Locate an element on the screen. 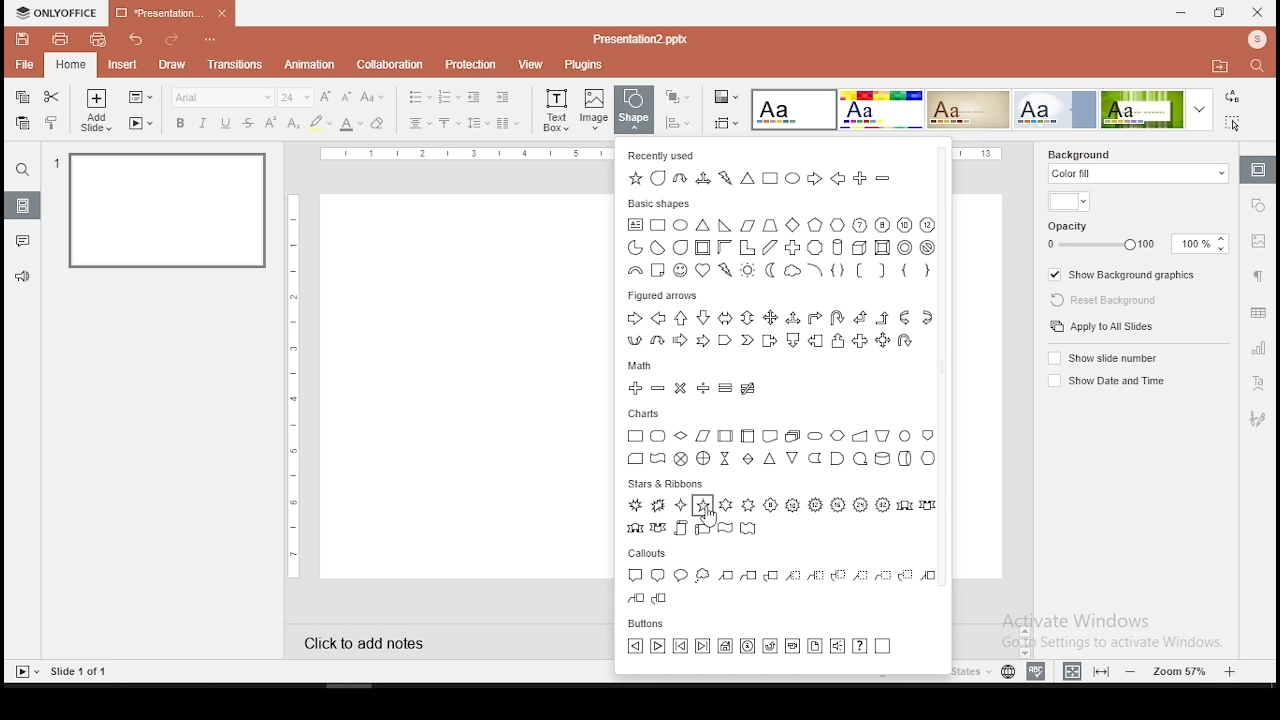 The width and height of the screenshot is (1280, 720). decrease size is located at coordinates (347, 97).